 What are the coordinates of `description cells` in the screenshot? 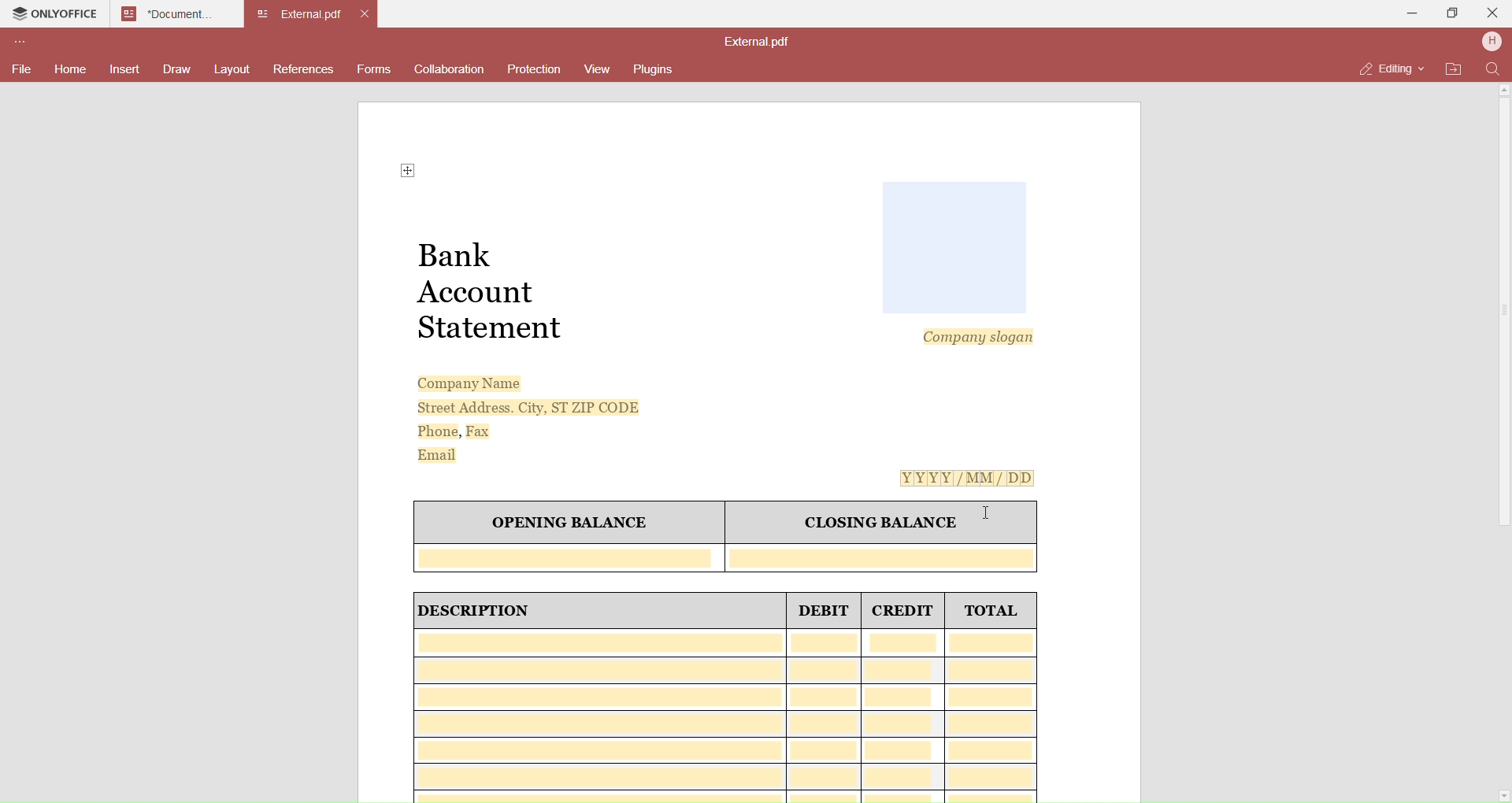 It's located at (598, 715).